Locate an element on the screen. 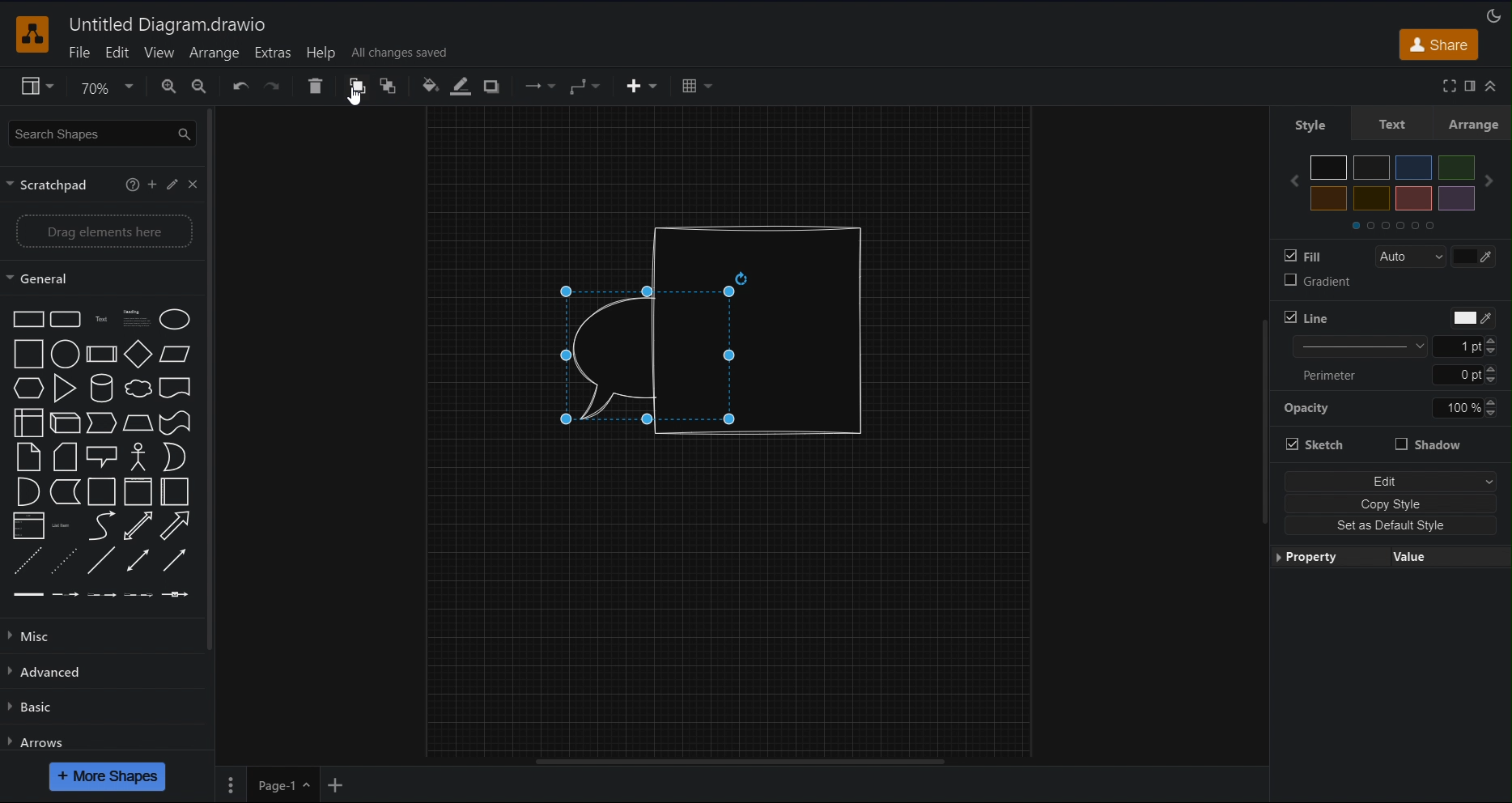 Image resolution: width=1512 pixels, height=803 pixels. Bidirectional connector is located at coordinates (138, 560).